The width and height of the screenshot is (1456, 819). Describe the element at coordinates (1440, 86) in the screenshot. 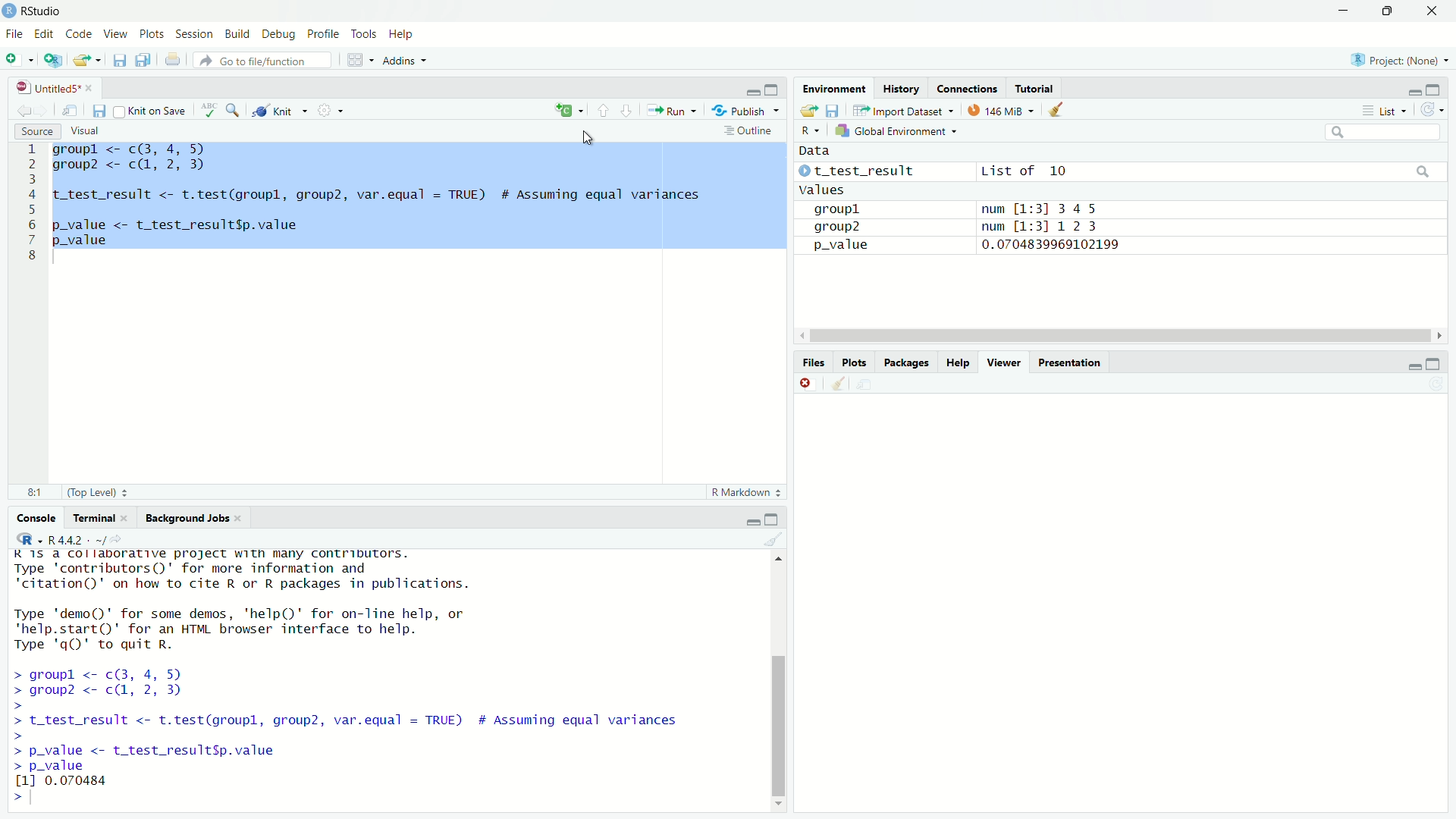

I see `maximise` at that location.